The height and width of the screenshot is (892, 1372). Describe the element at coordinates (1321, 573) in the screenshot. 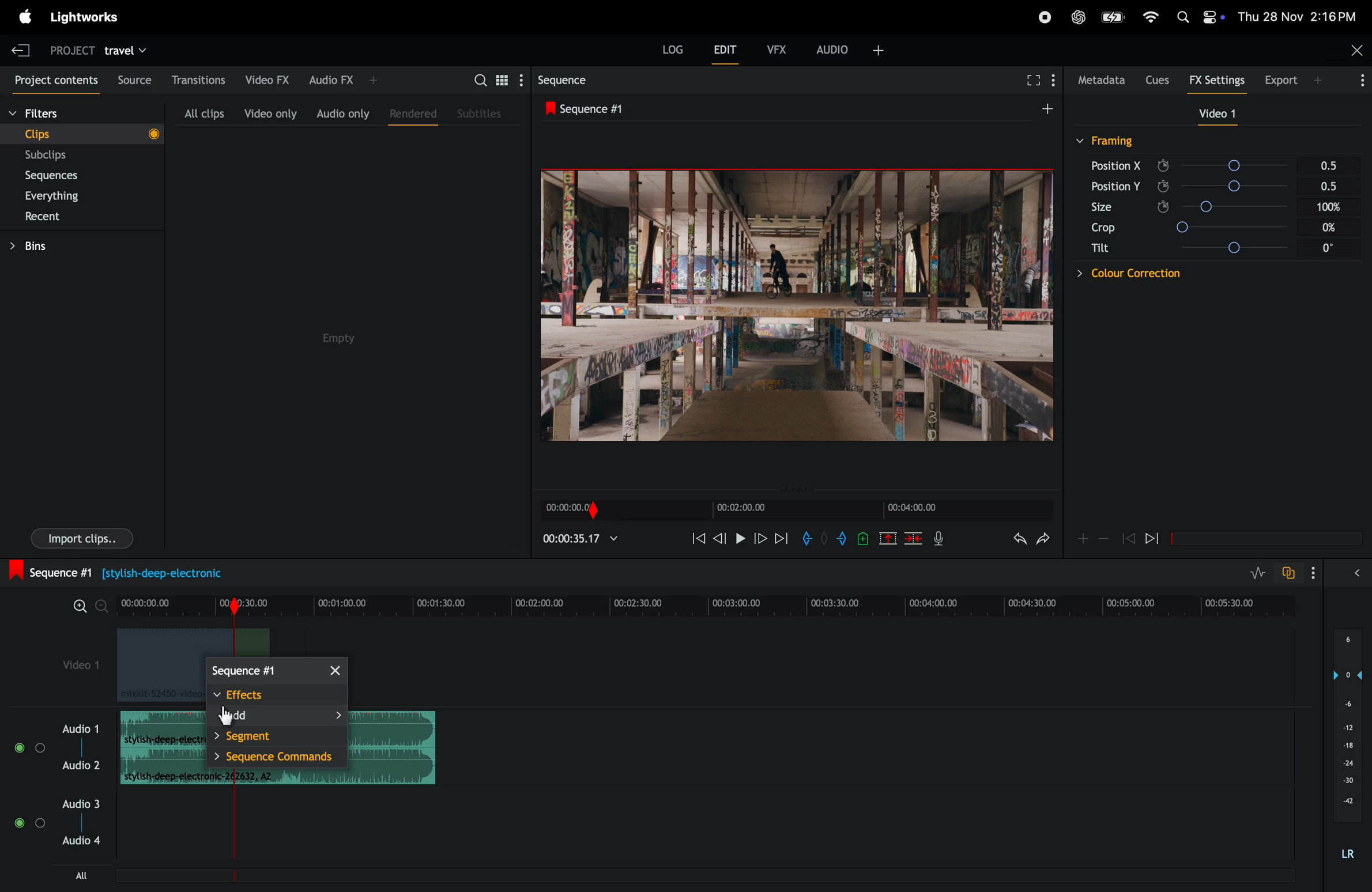

I see `options` at that location.